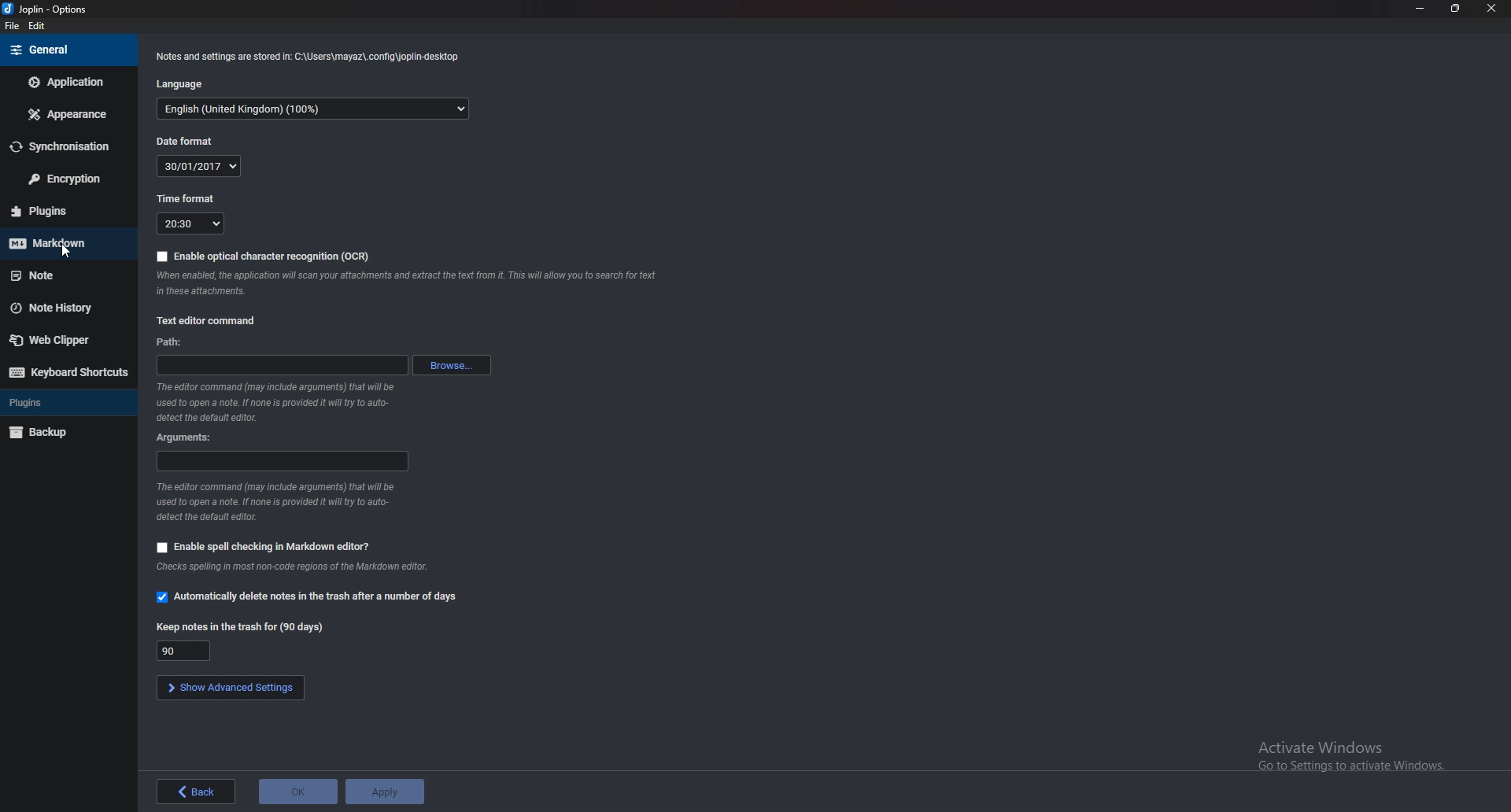 The image size is (1511, 812). I want to click on 30/01/2017(Date), so click(200, 165).